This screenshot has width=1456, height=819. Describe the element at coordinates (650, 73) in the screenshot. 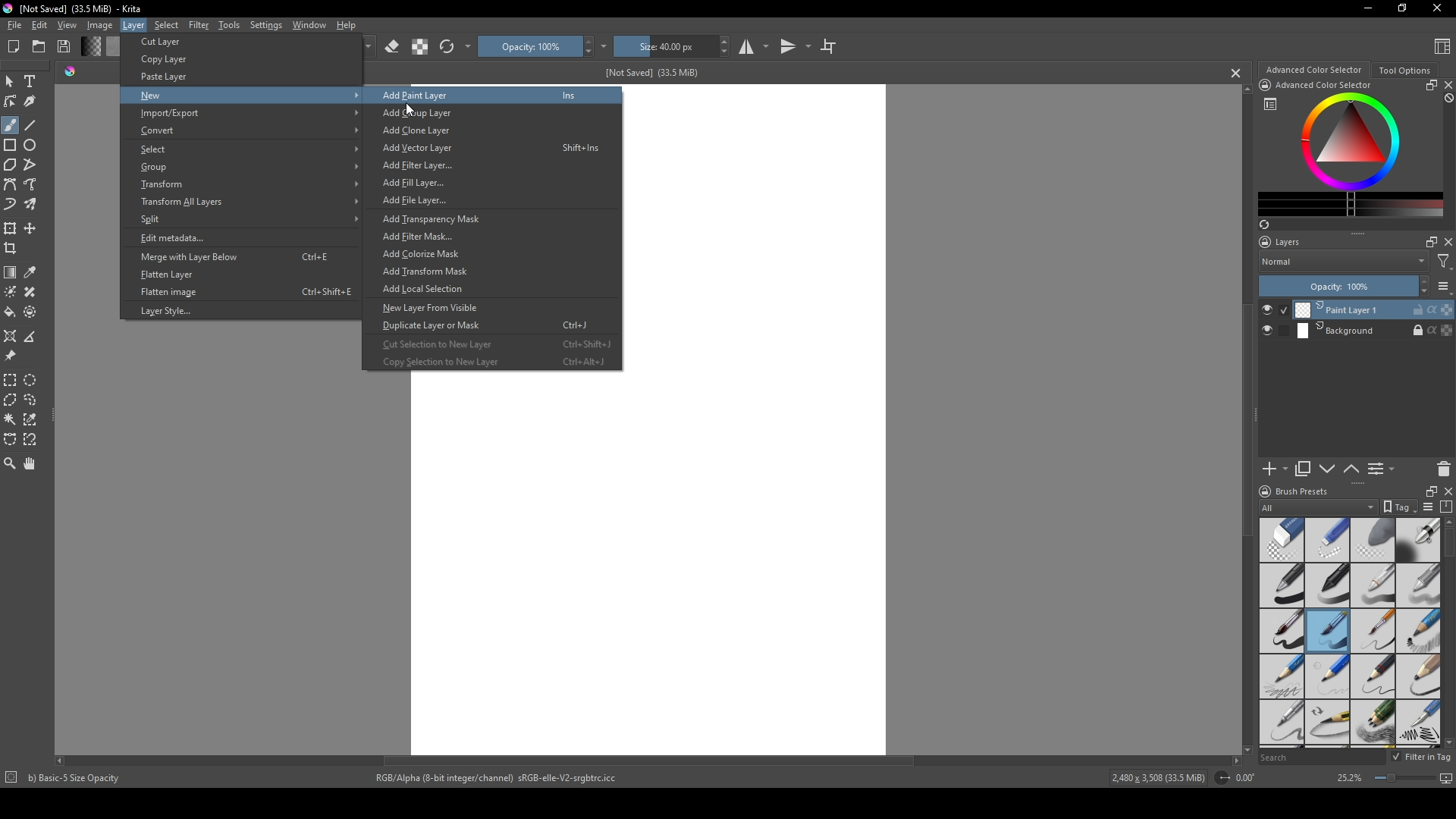

I see `[Not Saved] (33.5 MiB)` at that location.